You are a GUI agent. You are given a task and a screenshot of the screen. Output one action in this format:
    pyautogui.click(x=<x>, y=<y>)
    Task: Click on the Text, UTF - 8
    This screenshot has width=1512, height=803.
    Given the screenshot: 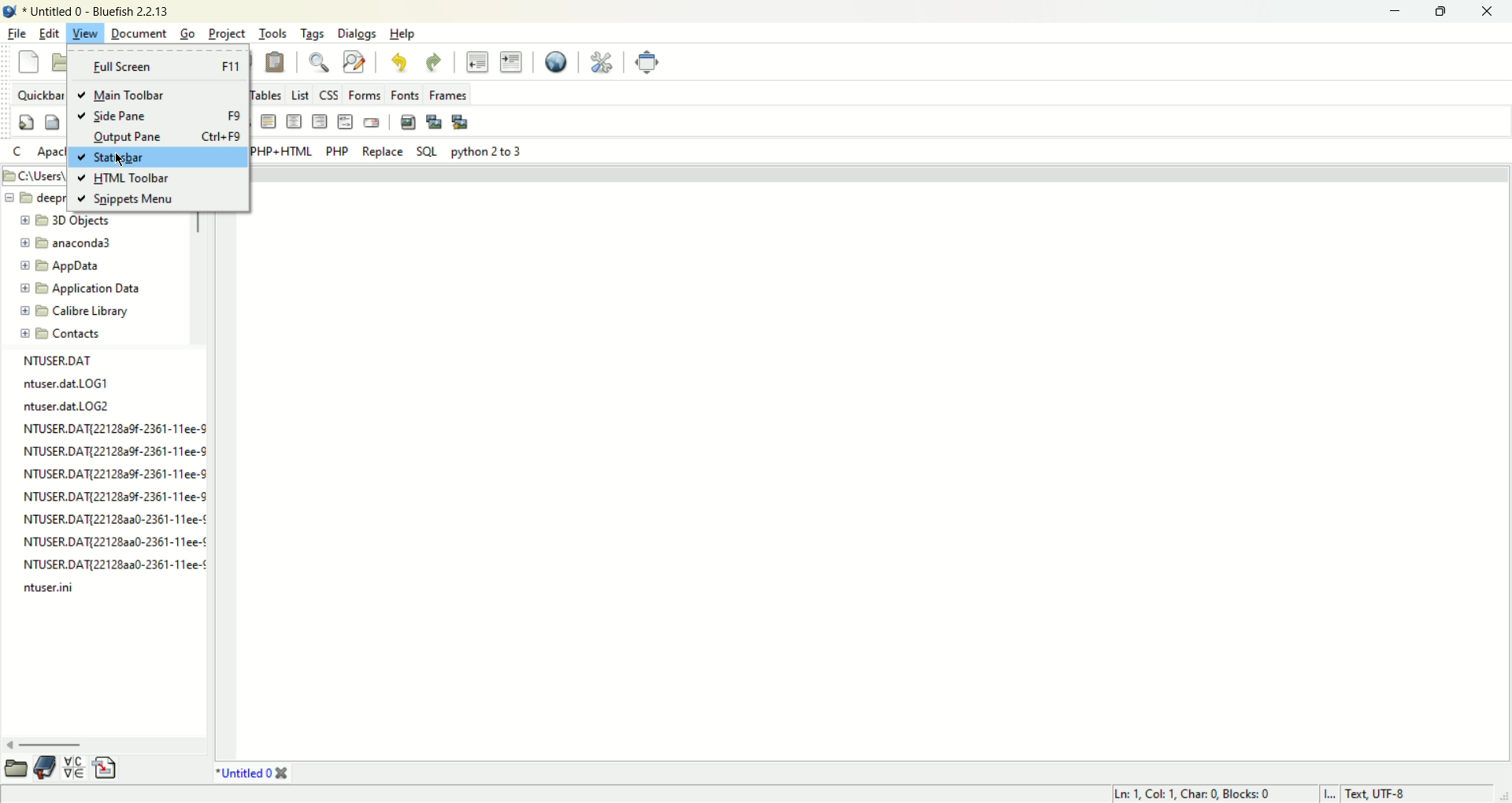 What is the action you would take?
    pyautogui.click(x=1380, y=794)
    